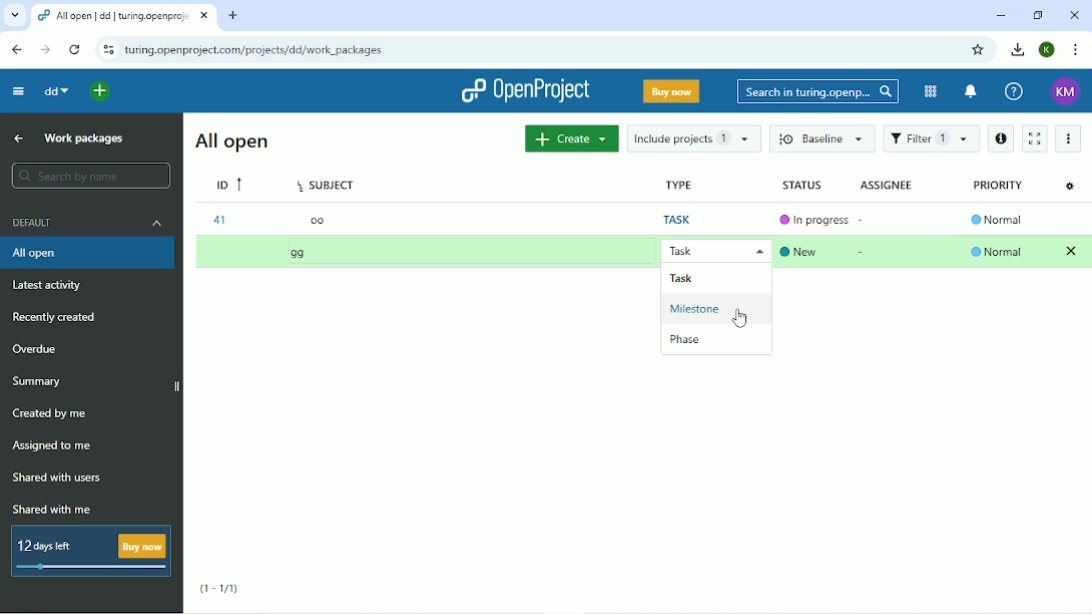 This screenshot has height=614, width=1092. I want to click on Reload this page, so click(76, 49).